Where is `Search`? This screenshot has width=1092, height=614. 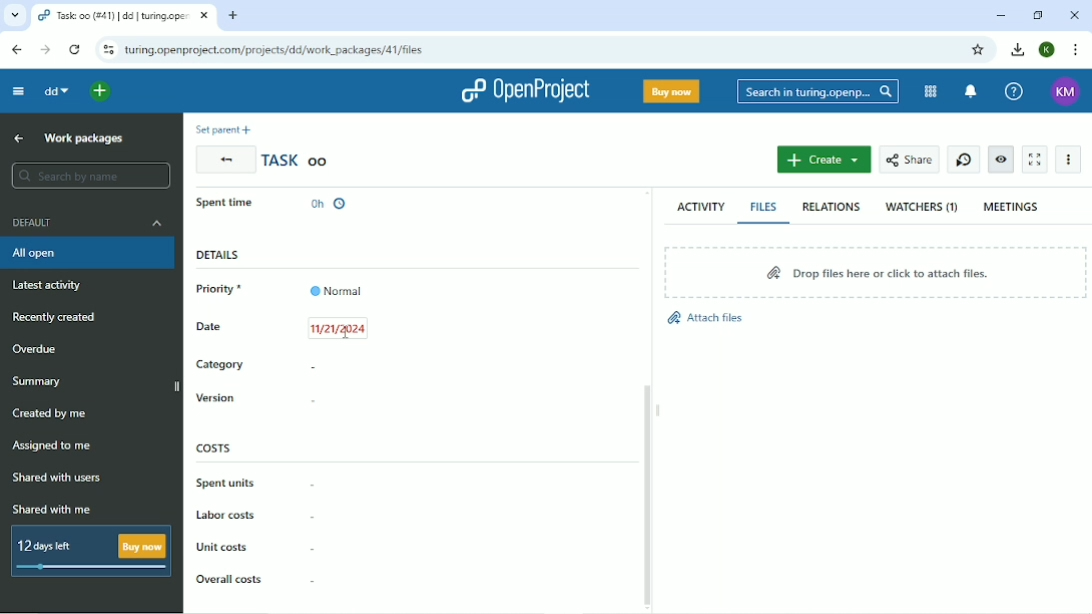
Search is located at coordinates (818, 91).